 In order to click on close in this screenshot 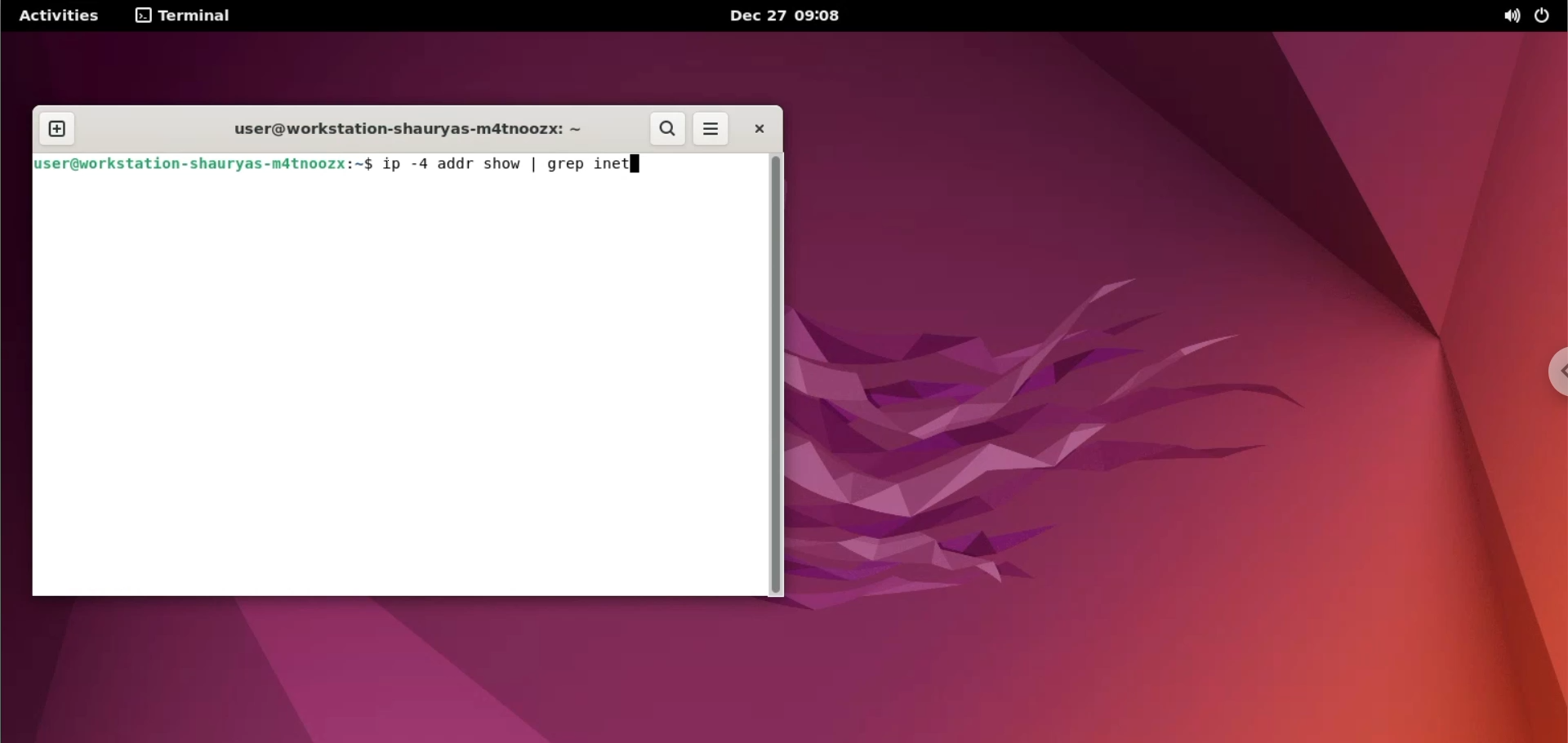, I will do `click(757, 129)`.